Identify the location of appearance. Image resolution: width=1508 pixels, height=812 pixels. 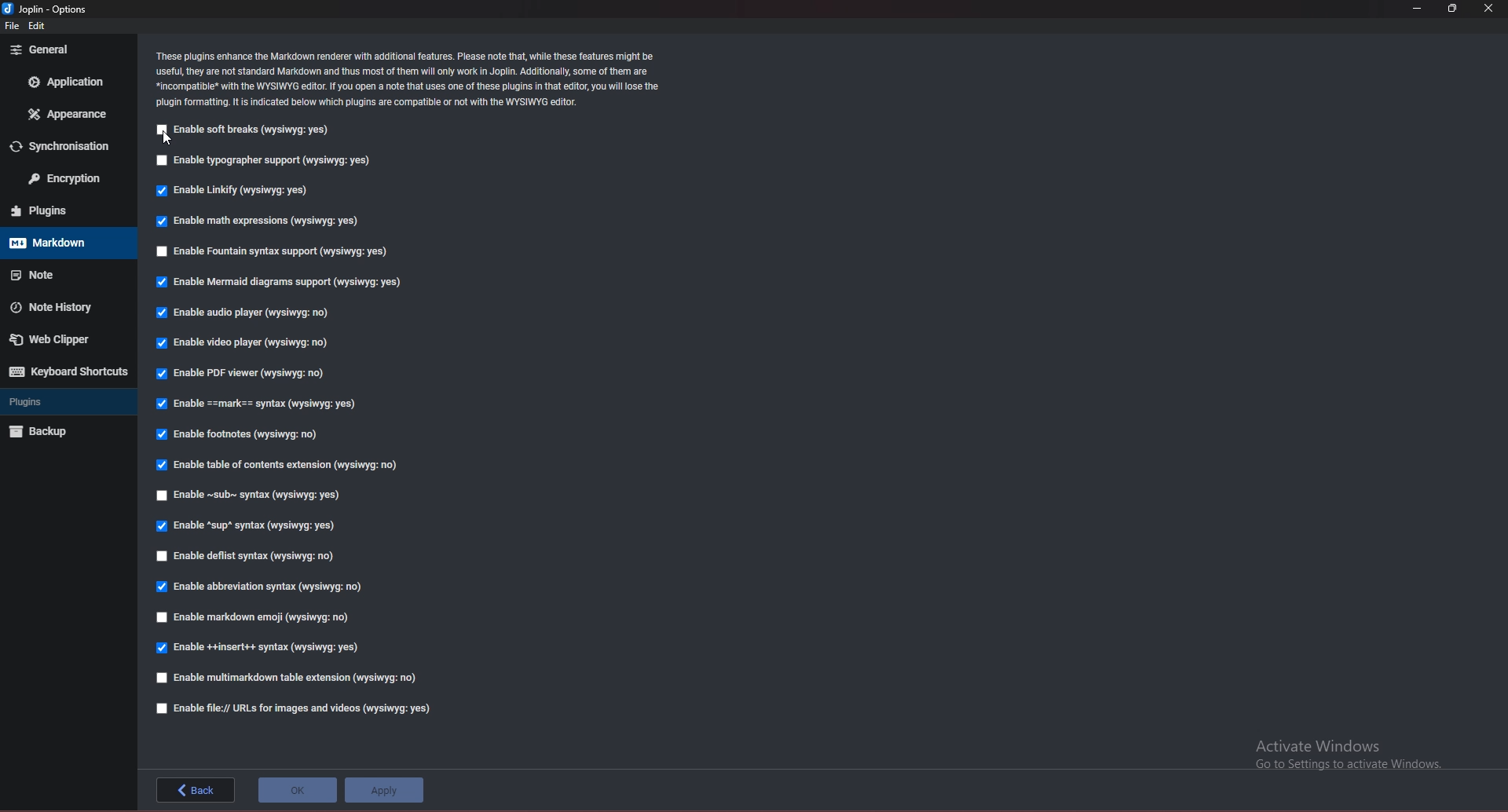
(68, 113).